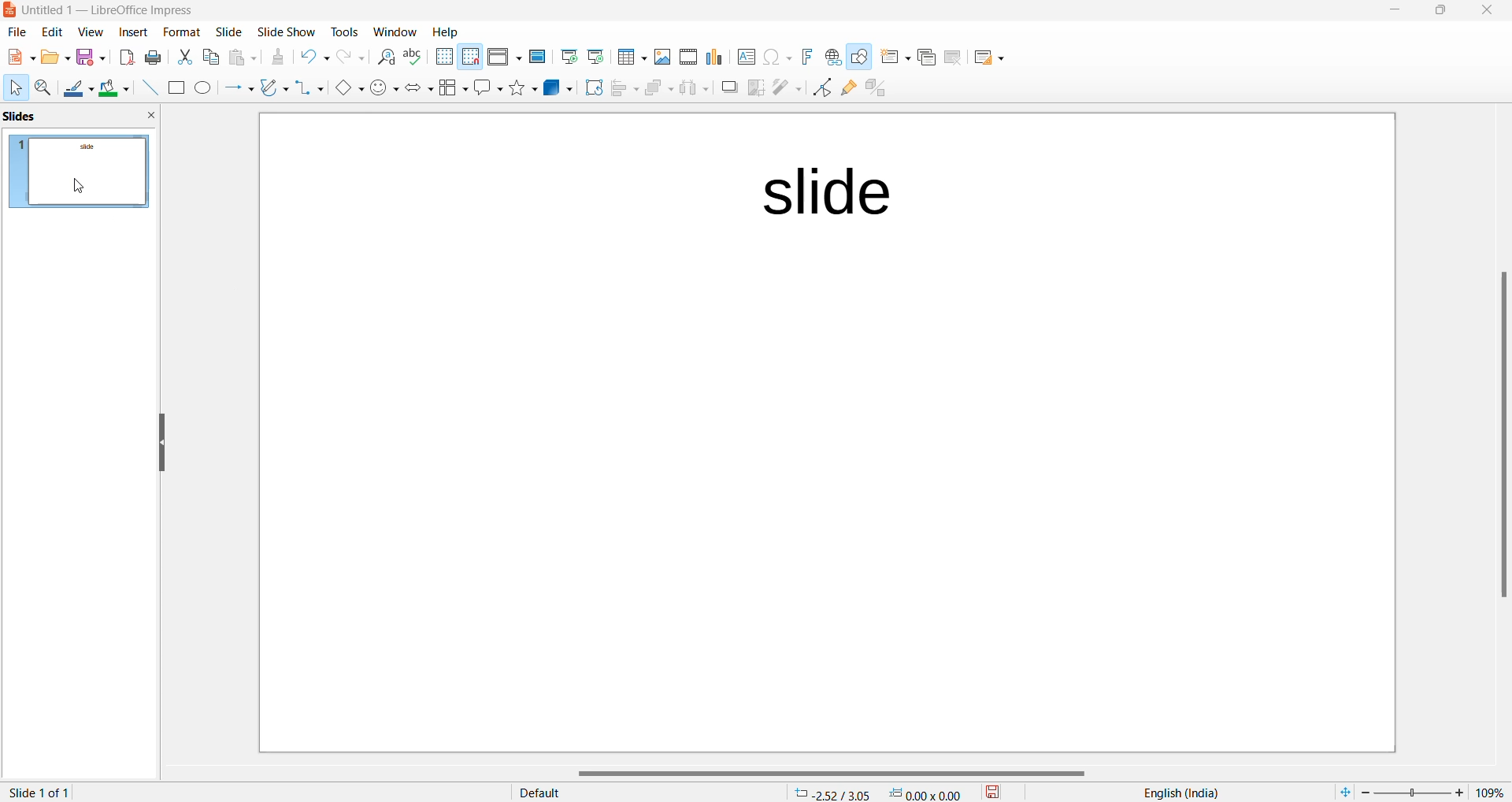 The height and width of the screenshot is (802, 1512). I want to click on master slide, so click(537, 56).